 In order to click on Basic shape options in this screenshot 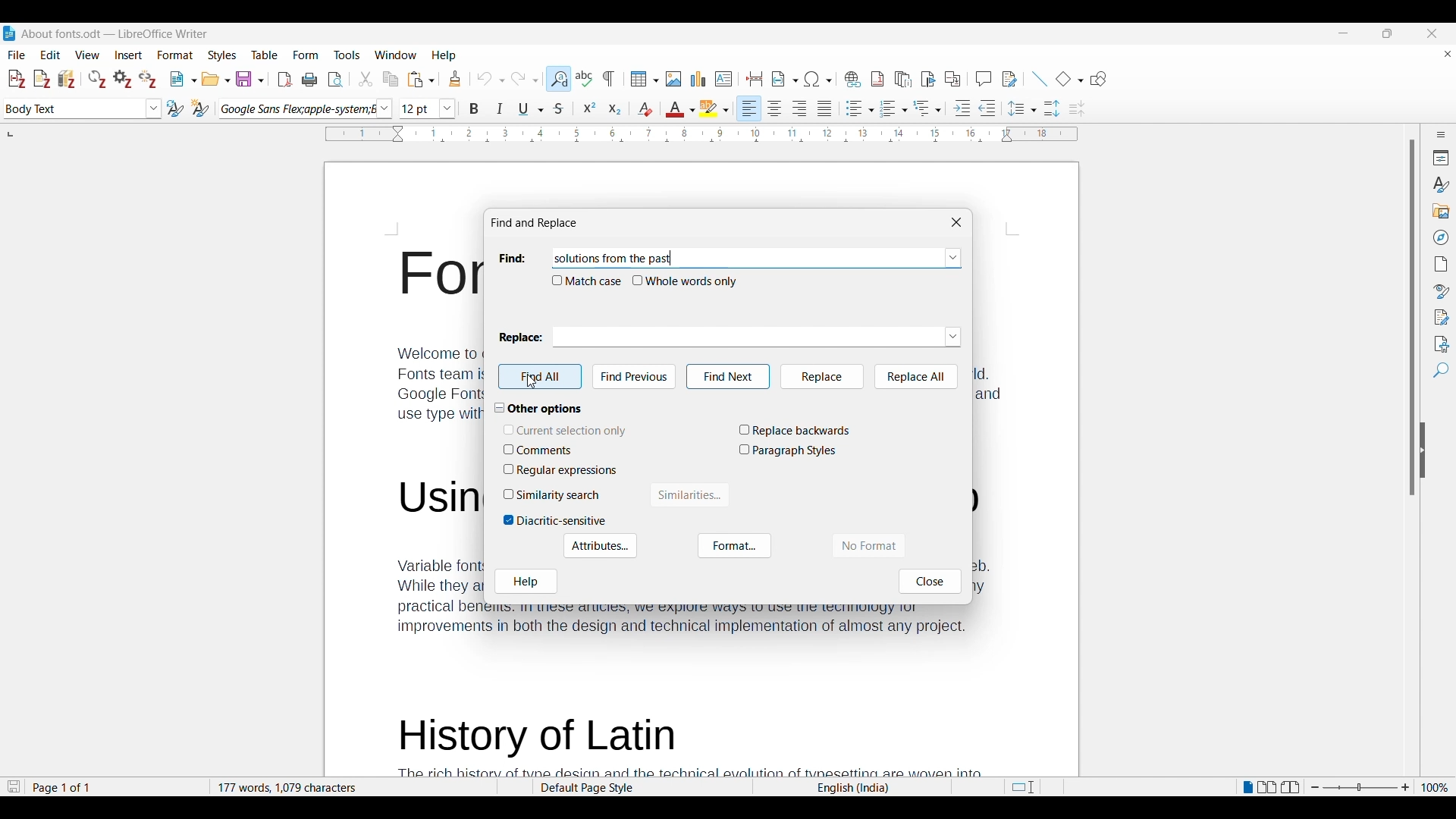, I will do `click(1069, 79)`.